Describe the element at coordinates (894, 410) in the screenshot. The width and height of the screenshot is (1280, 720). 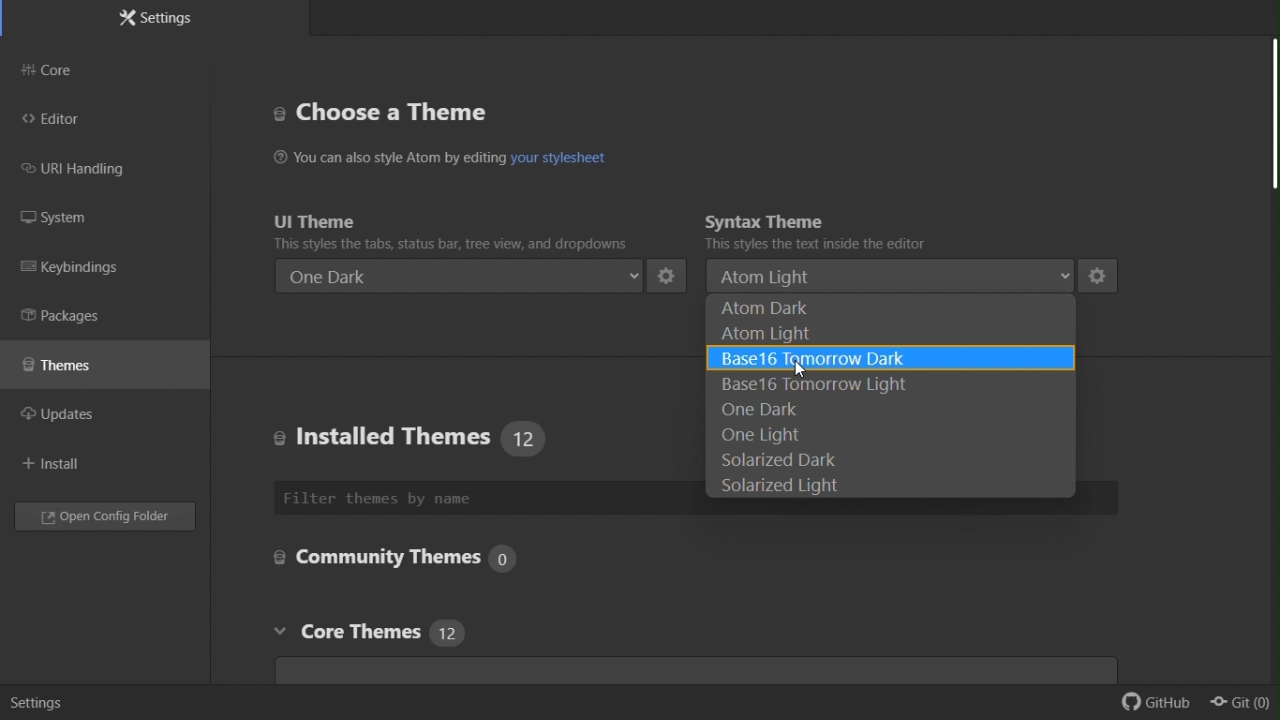
I see `One dark ` at that location.